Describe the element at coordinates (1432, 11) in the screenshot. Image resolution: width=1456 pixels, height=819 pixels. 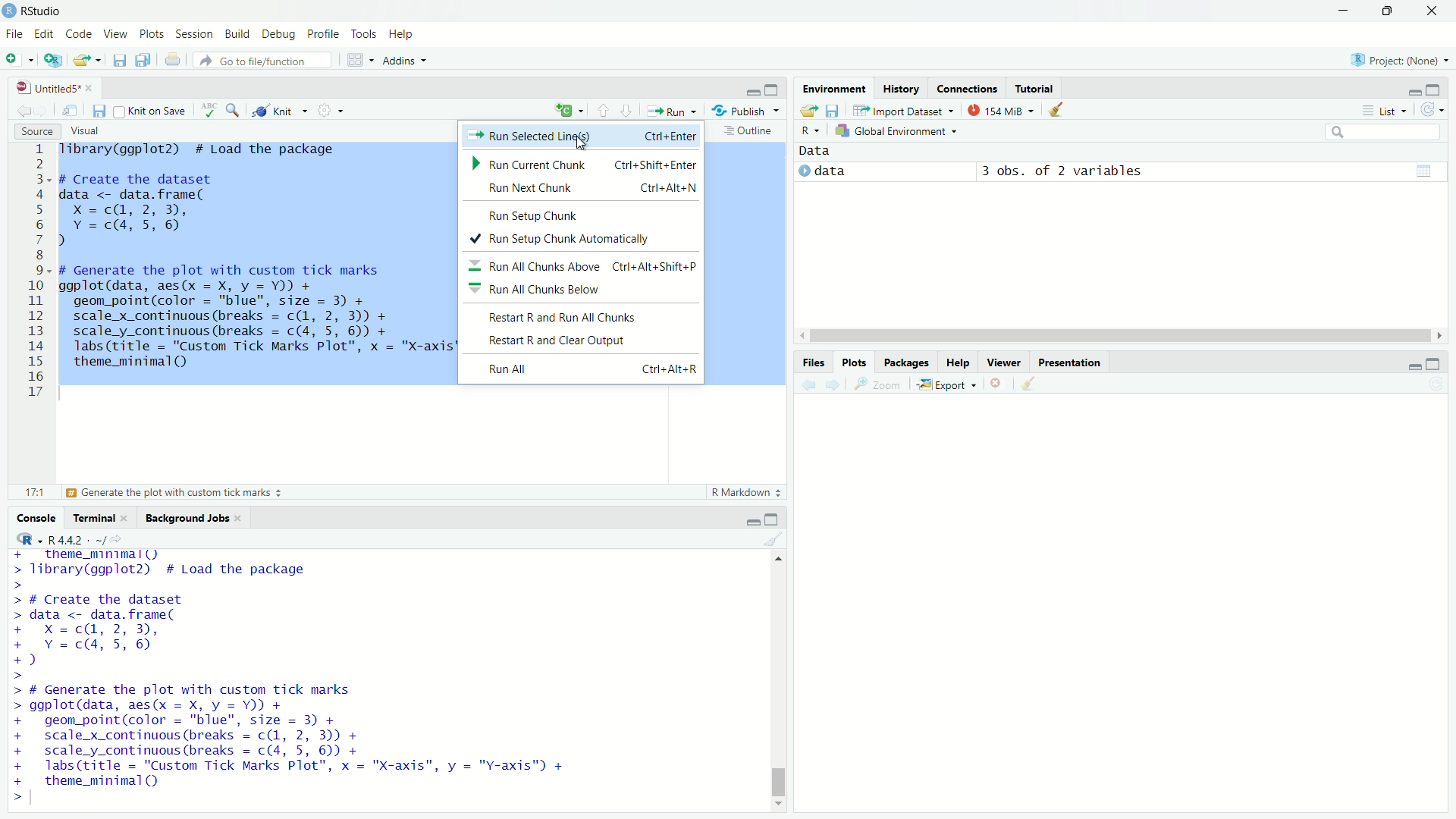
I see `close` at that location.